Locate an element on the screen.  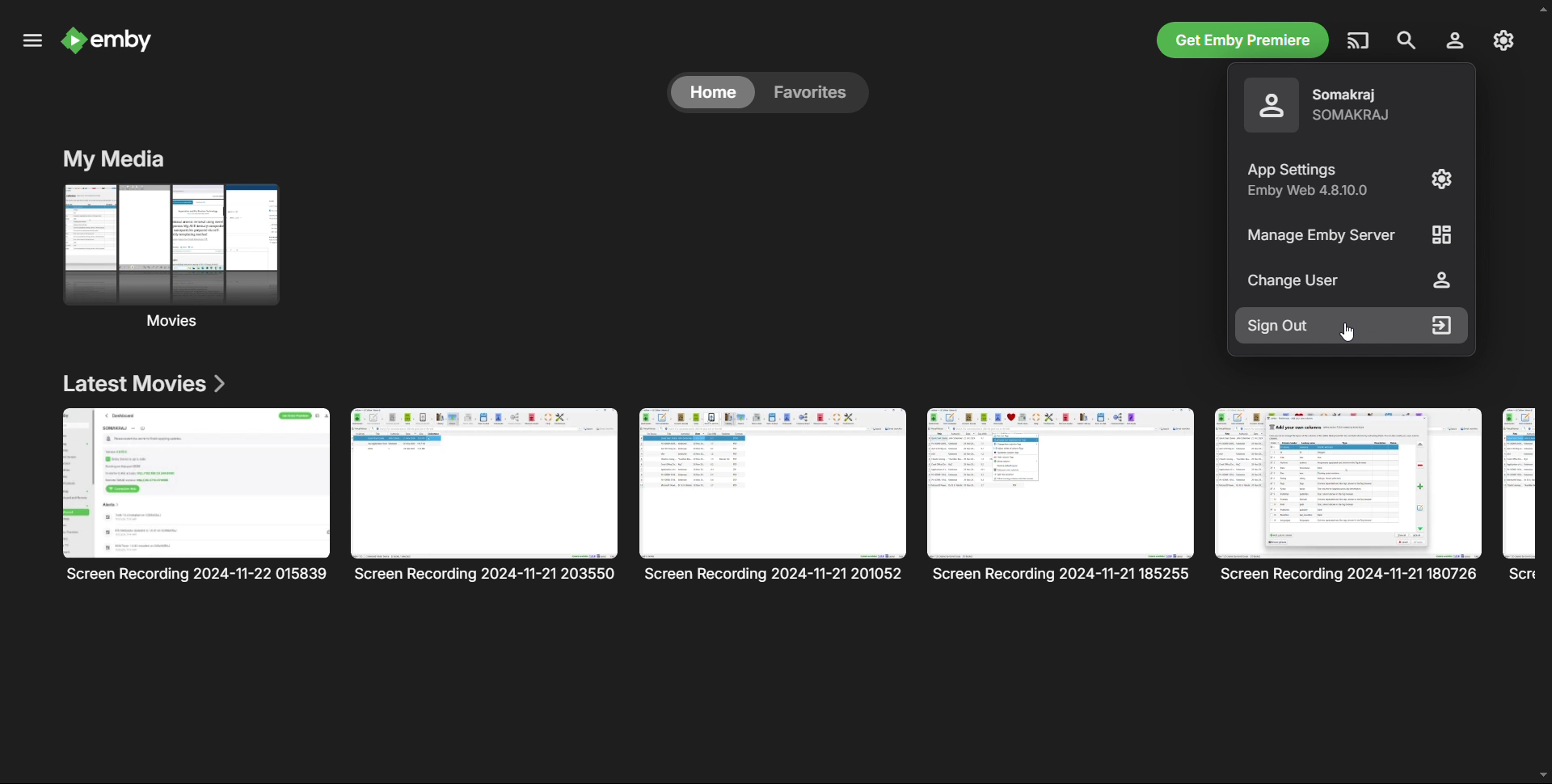
movies folder is located at coordinates (171, 255).